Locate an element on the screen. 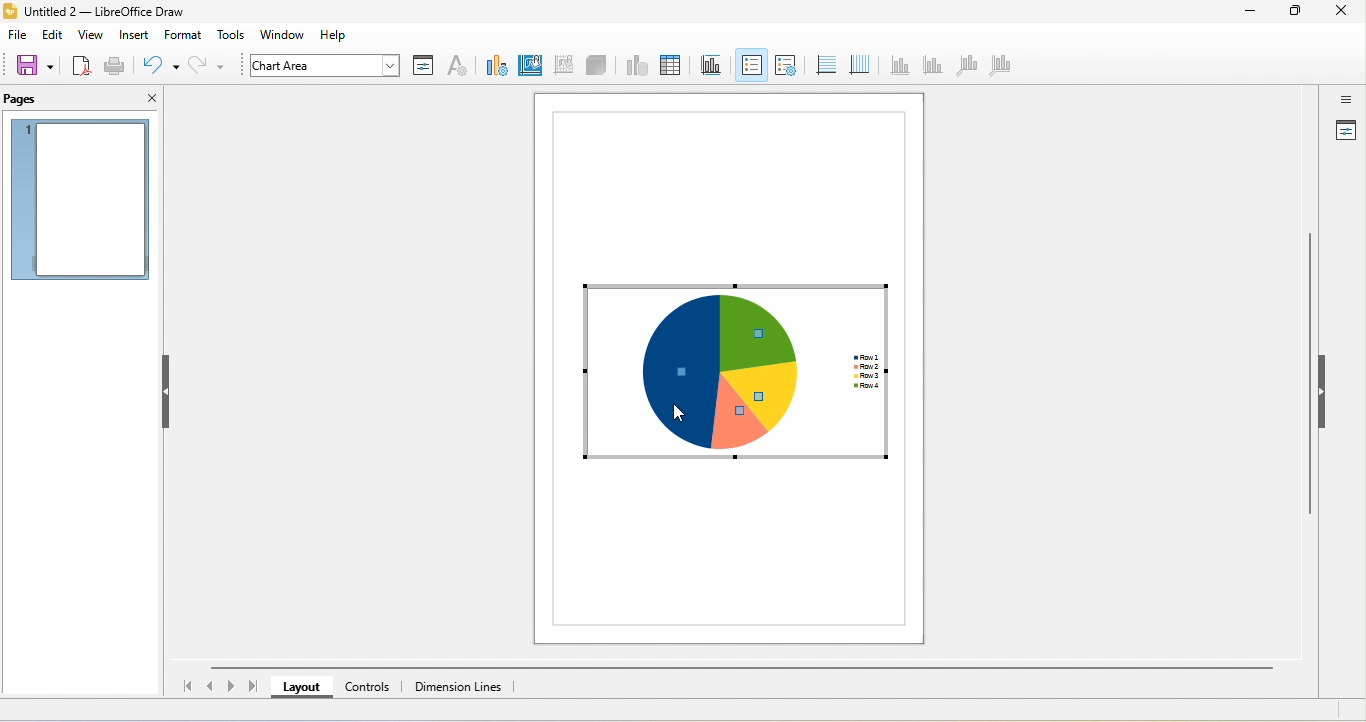 Image resolution: width=1366 pixels, height=722 pixels. minimize is located at coordinates (1249, 13).